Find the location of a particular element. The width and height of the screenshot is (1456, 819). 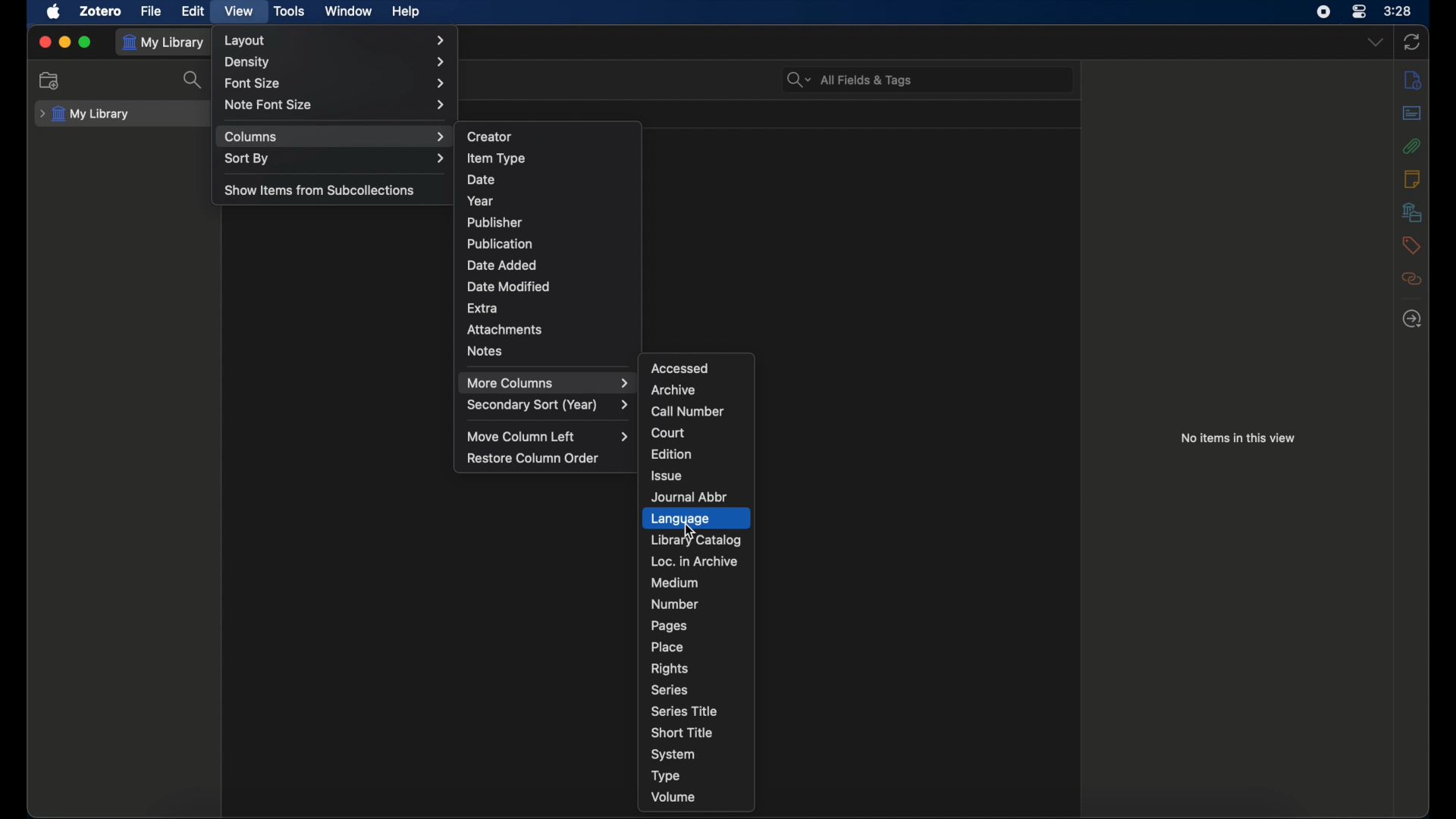

window is located at coordinates (349, 11).